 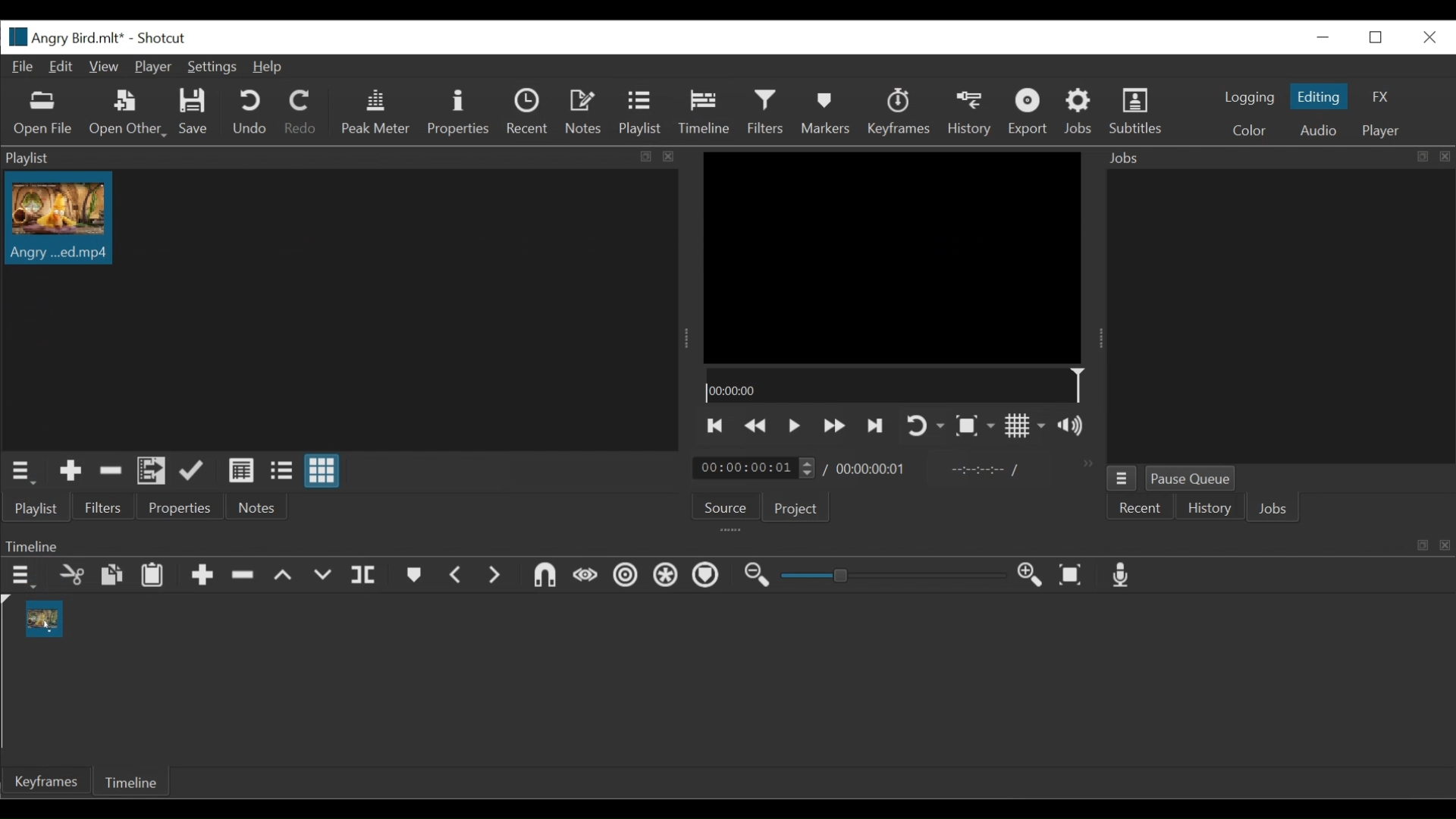 I want to click on Properties, so click(x=180, y=509).